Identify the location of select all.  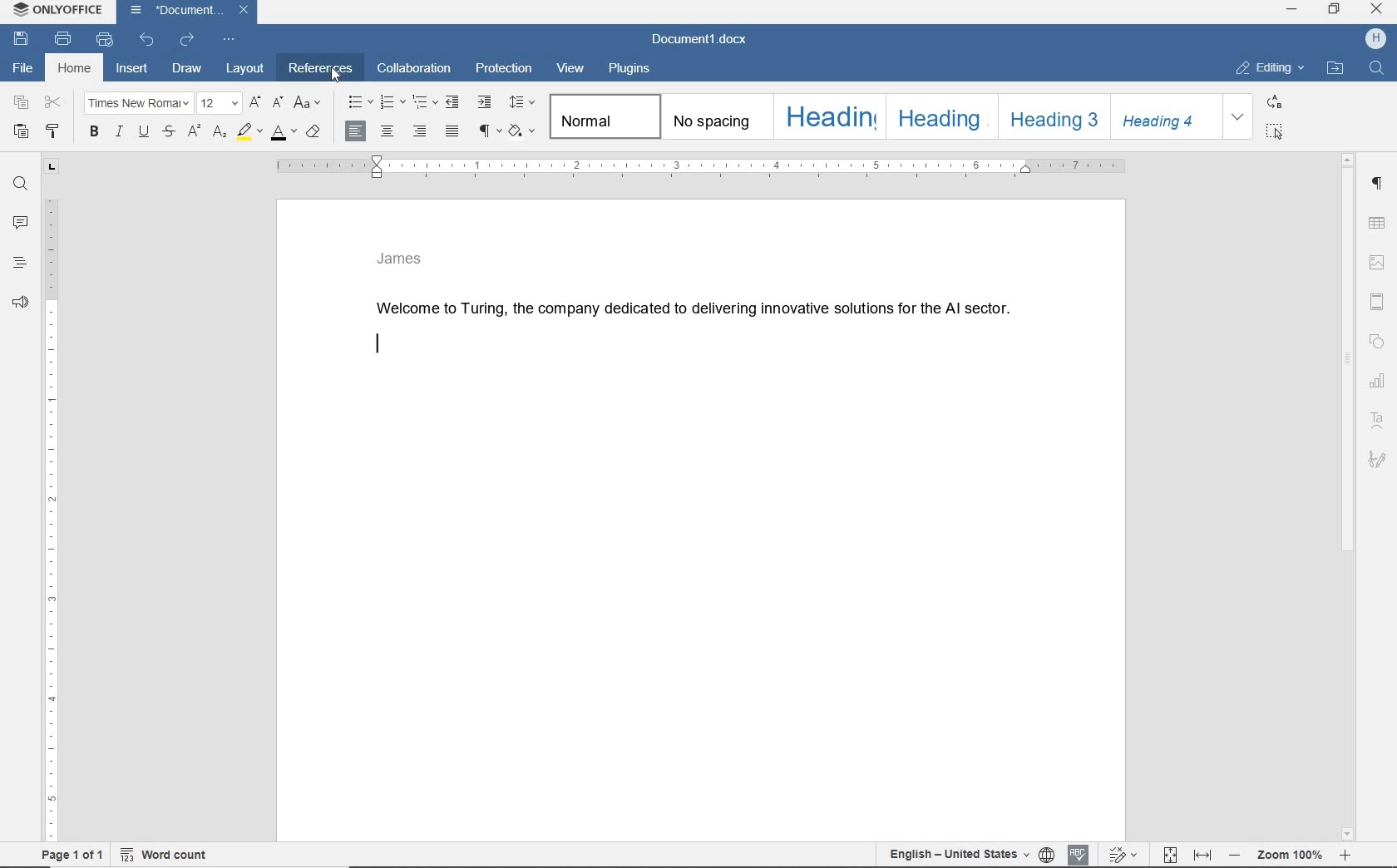
(1273, 132).